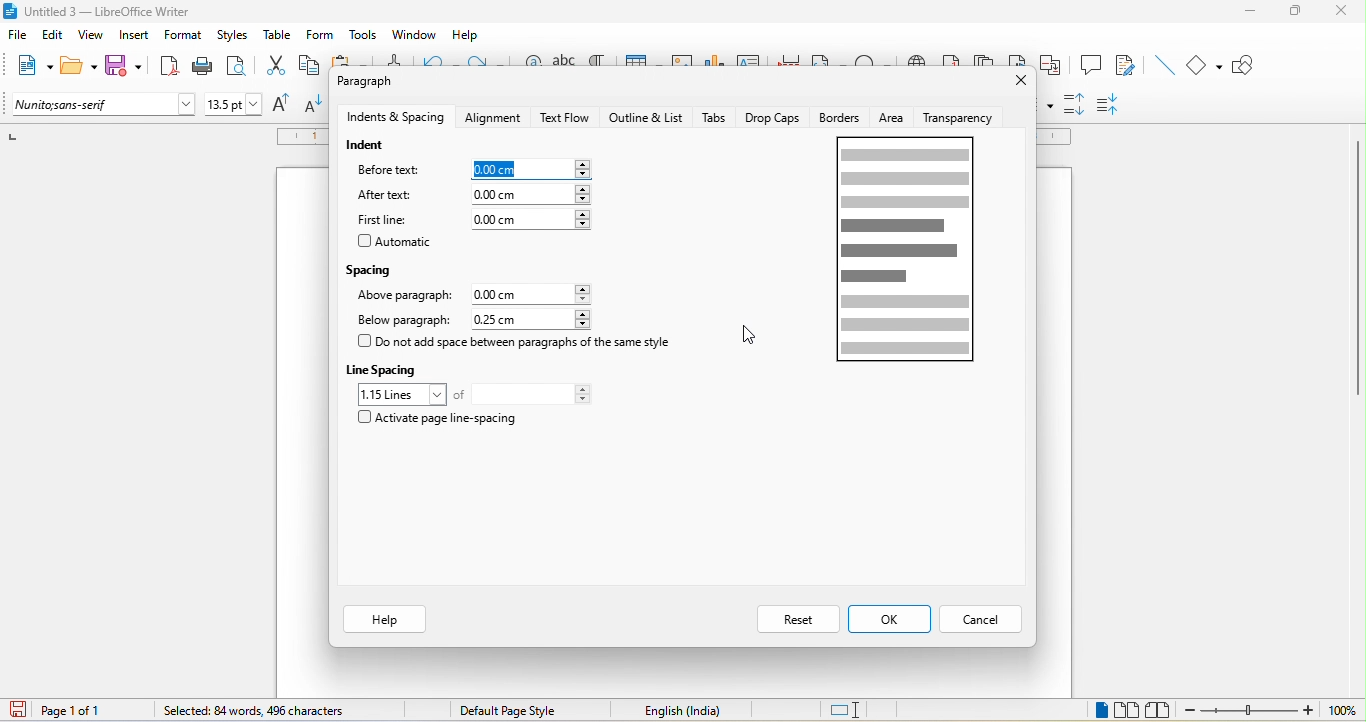 The width and height of the screenshot is (1366, 722). What do you see at coordinates (450, 420) in the screenshot?
I see `activate page line spacing` at bounding box center [450, 420].